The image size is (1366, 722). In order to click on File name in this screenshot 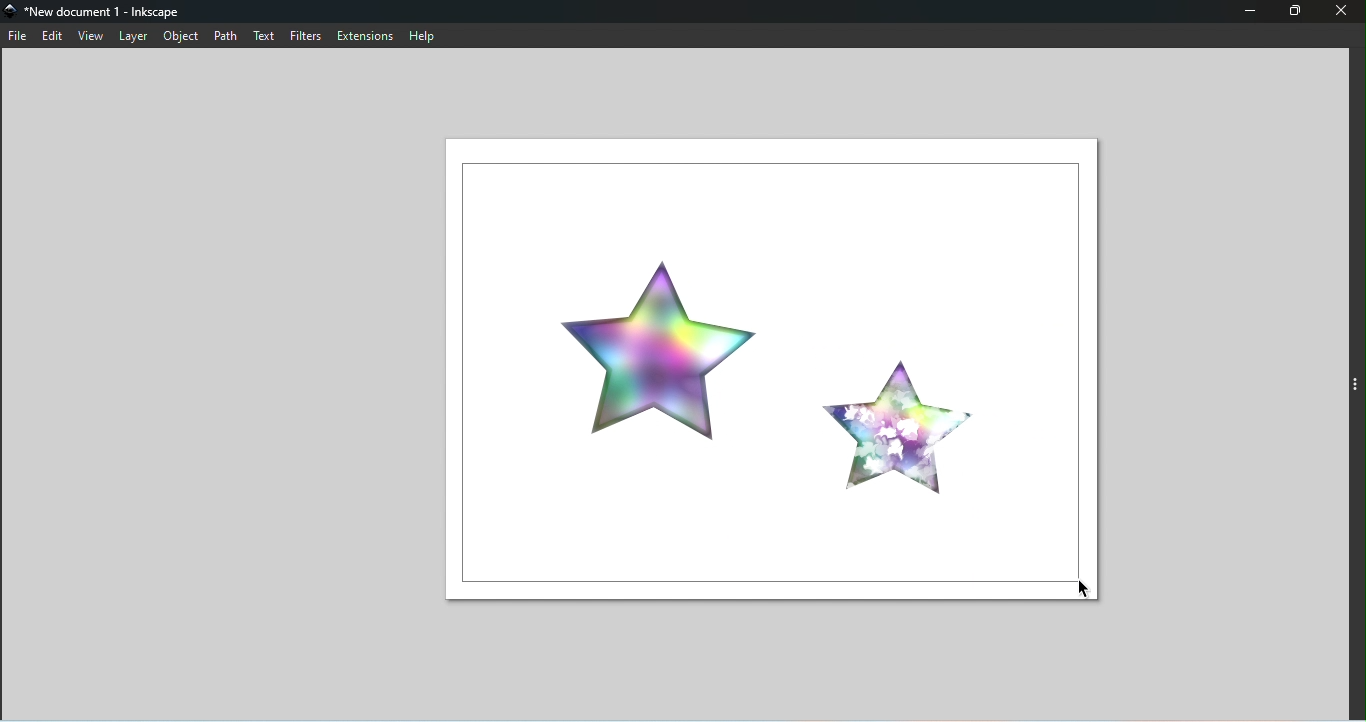, I will do `click(103, 12)`.